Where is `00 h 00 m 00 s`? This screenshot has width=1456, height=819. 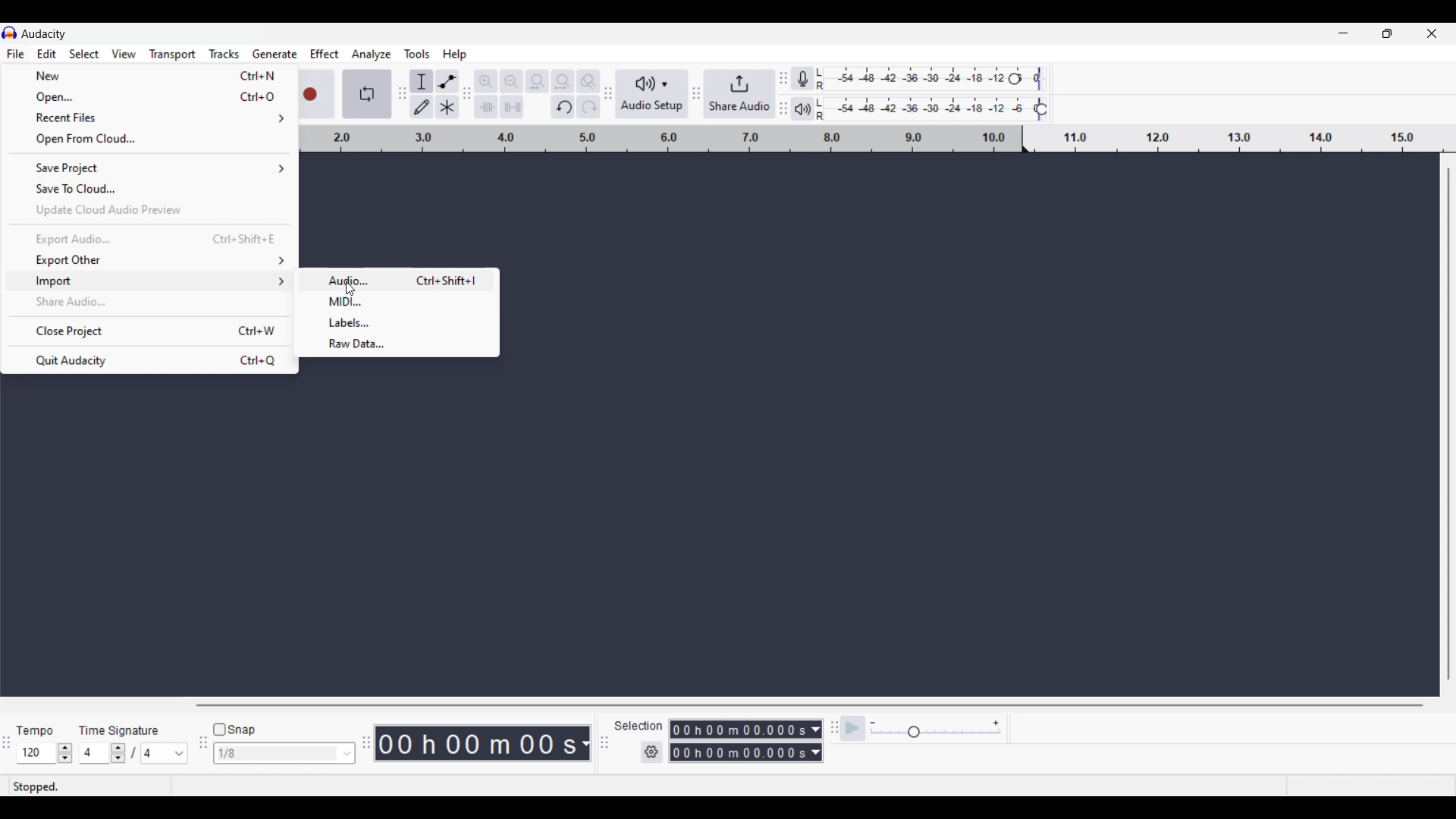 00 h 00 m 00 s is located at coordinates (485, 744).